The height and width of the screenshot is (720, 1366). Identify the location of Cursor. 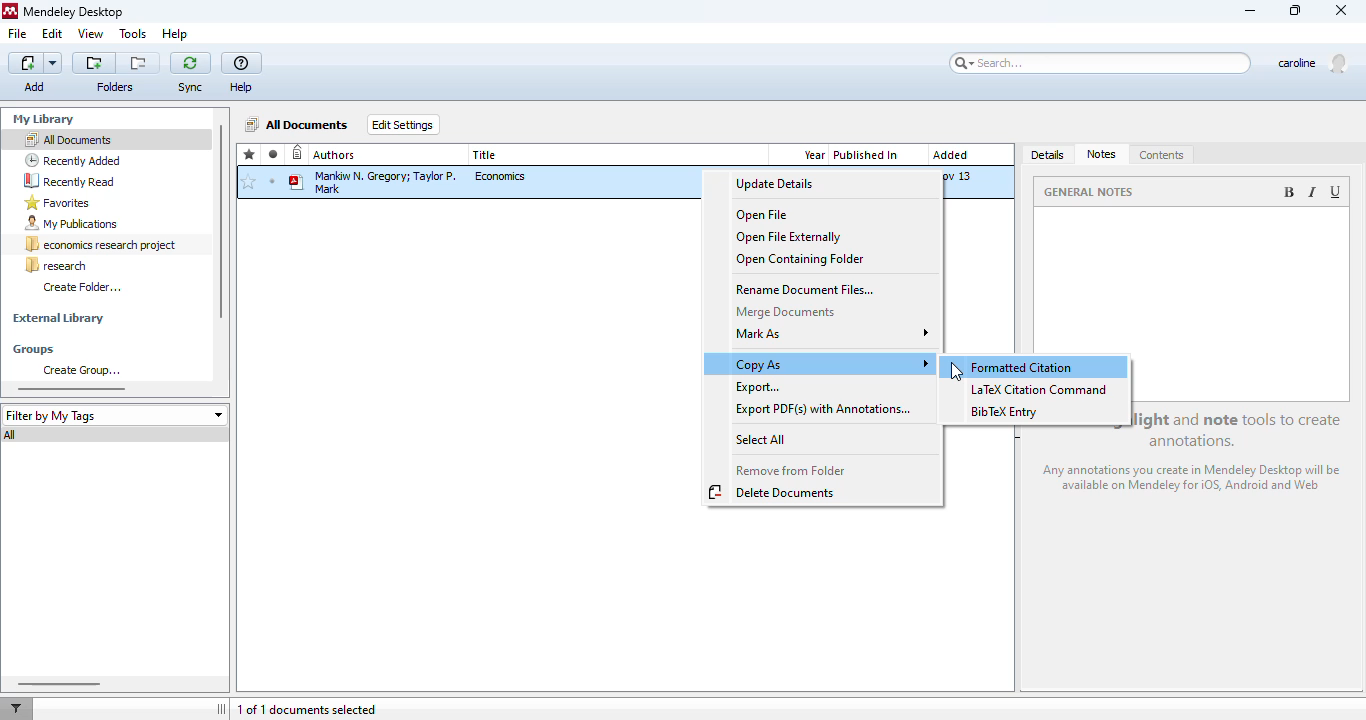
(952, 372).